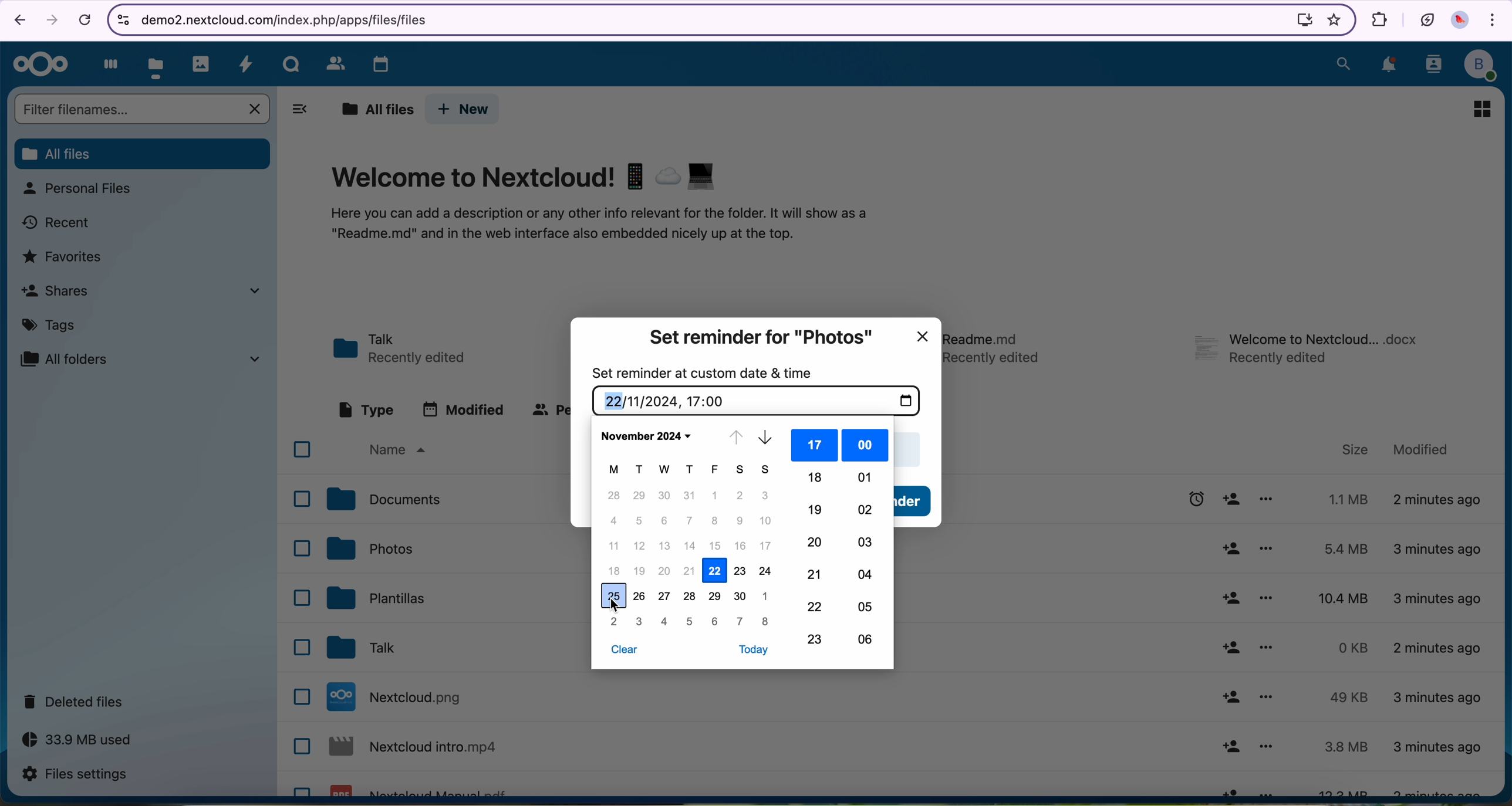  What do you see at coordinates (716, 570) in the screenshot?
I see `22` at bounding box center [716, 570].